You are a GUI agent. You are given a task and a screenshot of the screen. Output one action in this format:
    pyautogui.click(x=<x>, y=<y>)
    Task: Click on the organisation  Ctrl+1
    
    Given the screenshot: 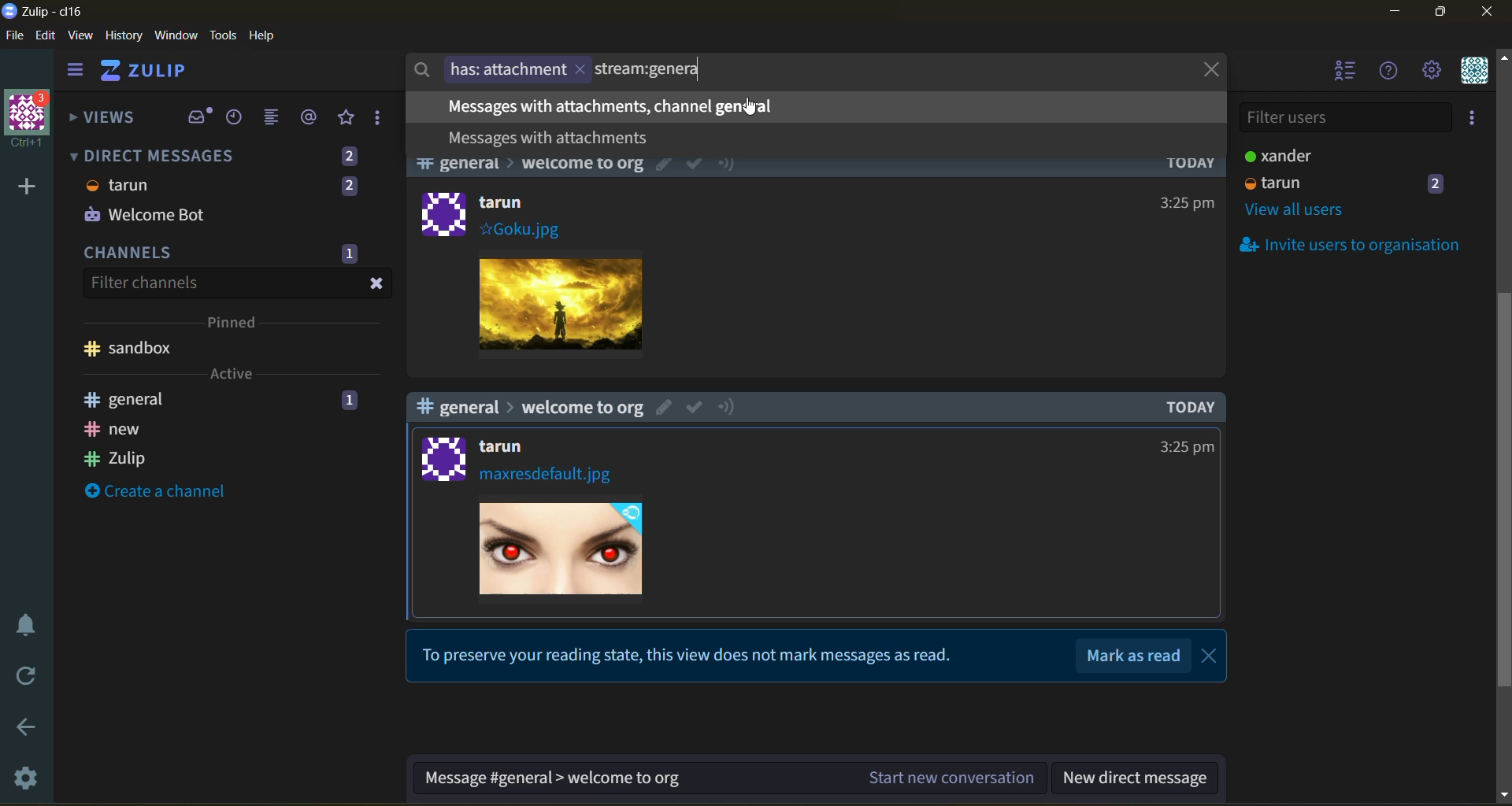 What is the action you would take?
    pyautogui.click(x=31, y=121)
    